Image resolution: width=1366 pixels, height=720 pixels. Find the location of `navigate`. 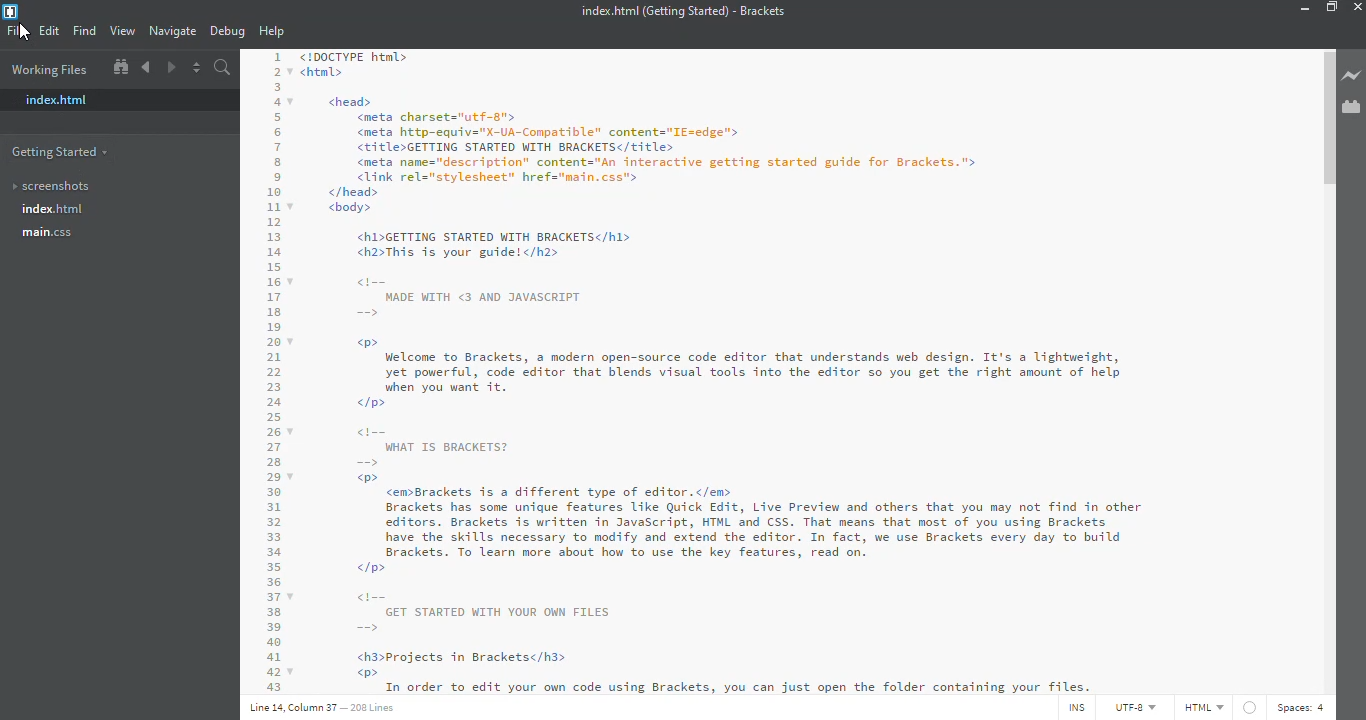

navigate is located at coordinates (173, 30).